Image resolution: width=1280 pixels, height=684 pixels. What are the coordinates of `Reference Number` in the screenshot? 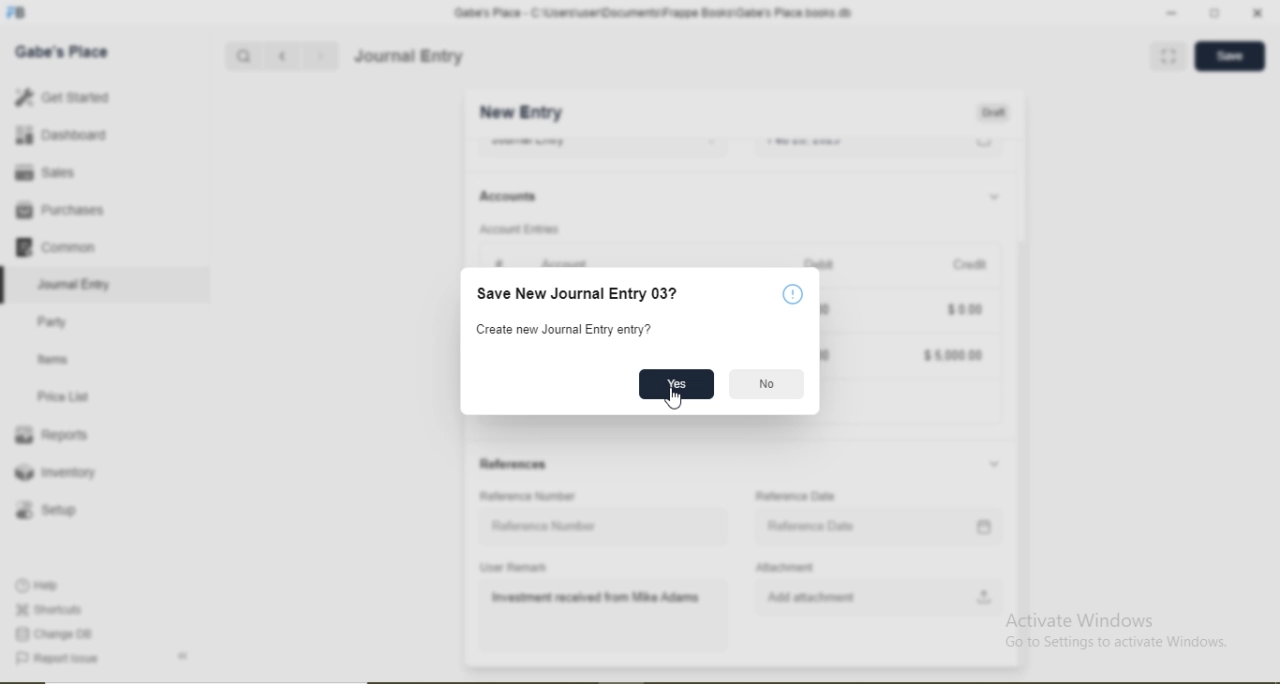 It's located at (545, 526).